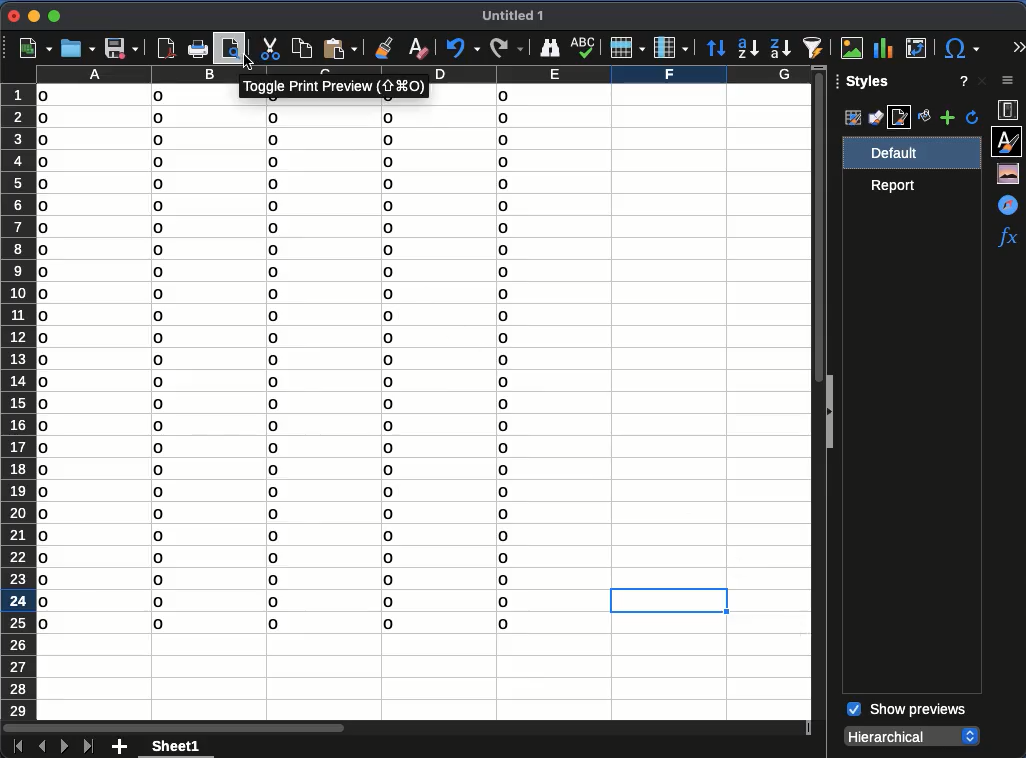  What do you see at coordinates (1011, 174) in the screenshot?
I see `gallery` at bounding box center [1011, 174].